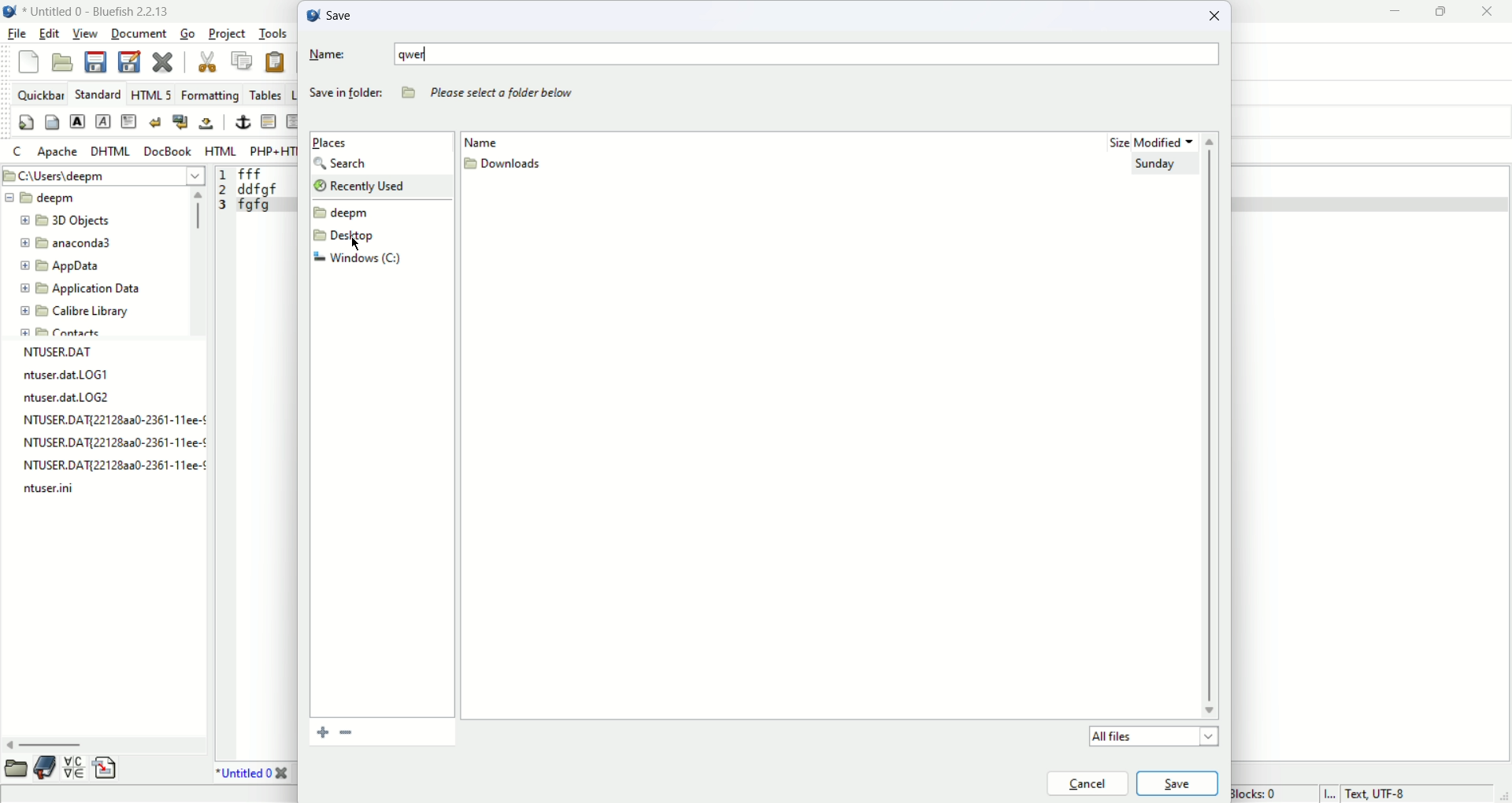  What do you see at coordinates (106, 770) in the screenshot?
I see `snippet` at bounding box center [106, 770].